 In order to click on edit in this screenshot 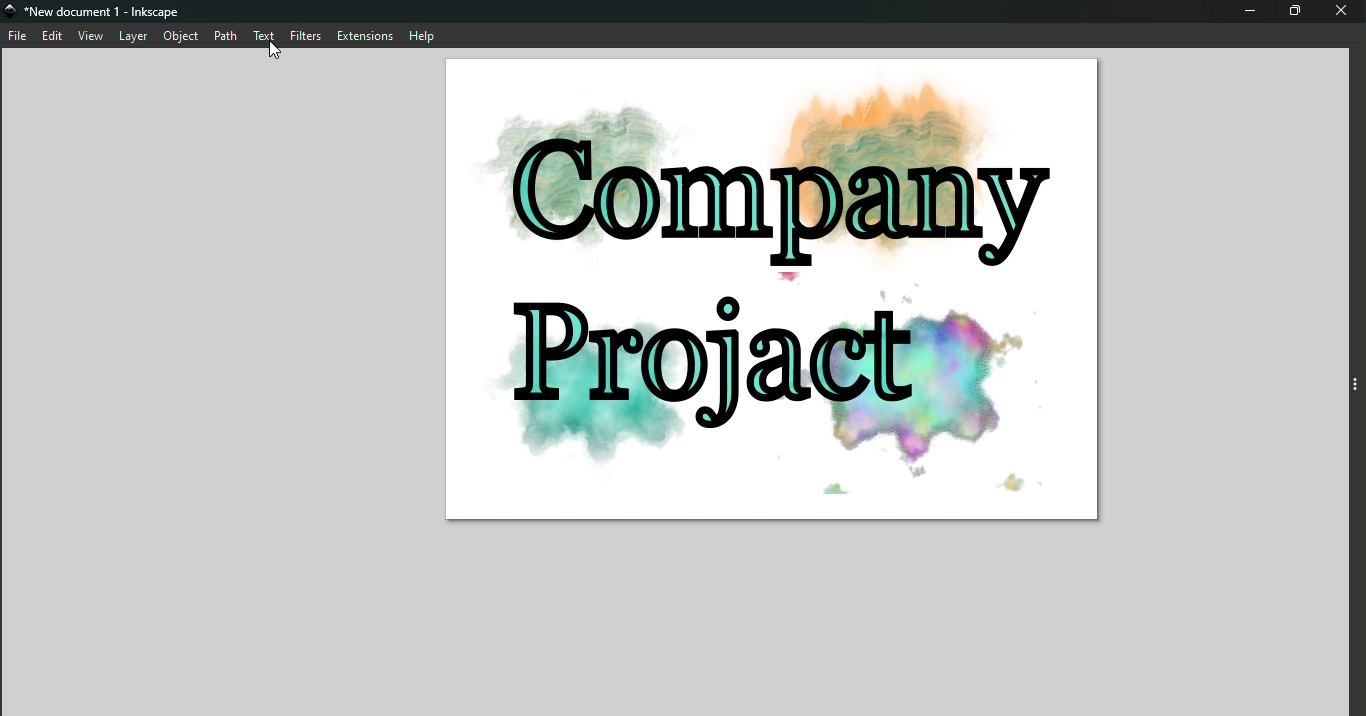, I will do `click(56, 38)`.